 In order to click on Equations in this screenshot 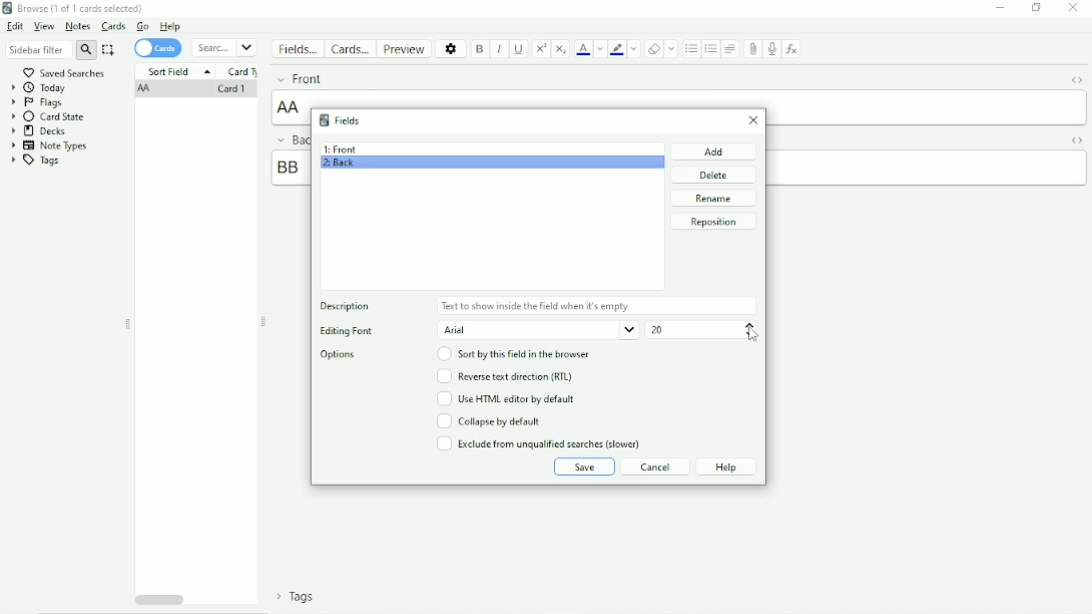, I will do `click(791, 48)`.